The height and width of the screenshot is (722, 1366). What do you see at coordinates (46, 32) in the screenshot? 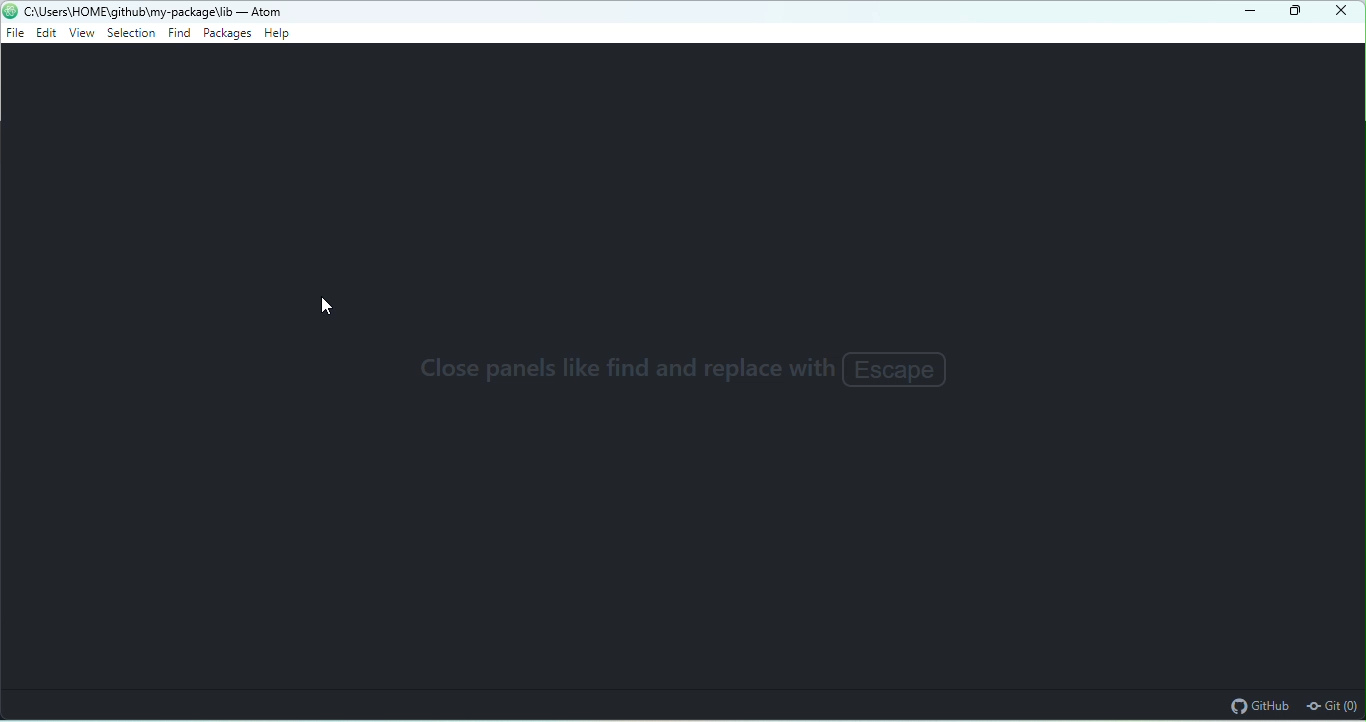
I see `edit` at bounding box center [46, 32].